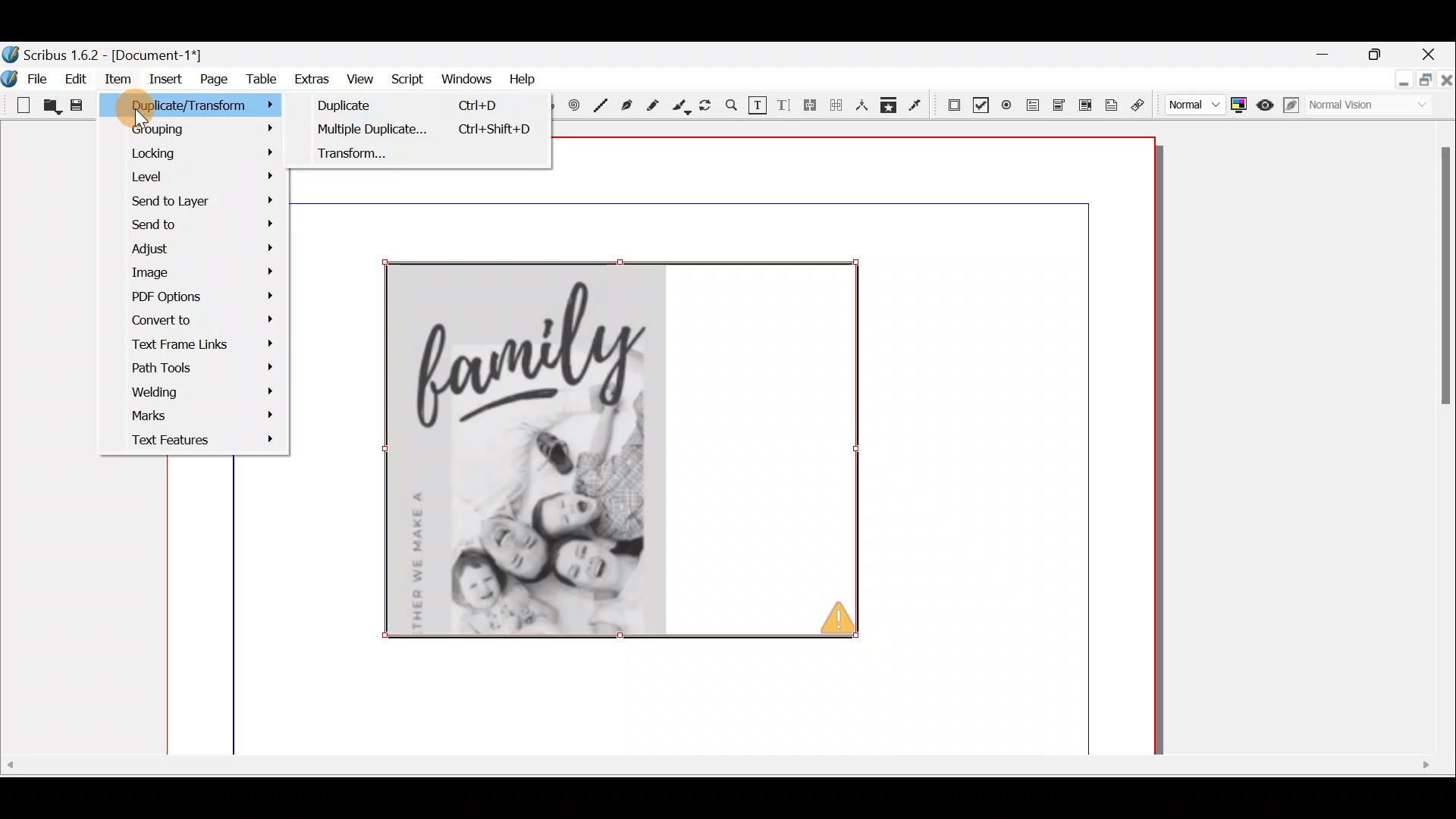 Image resolution: width=1456 pixels, height=819 pixels. What do you see at coordinates (121, 81) in the screenshot?
I see `item` at bounding box center [121, 81].